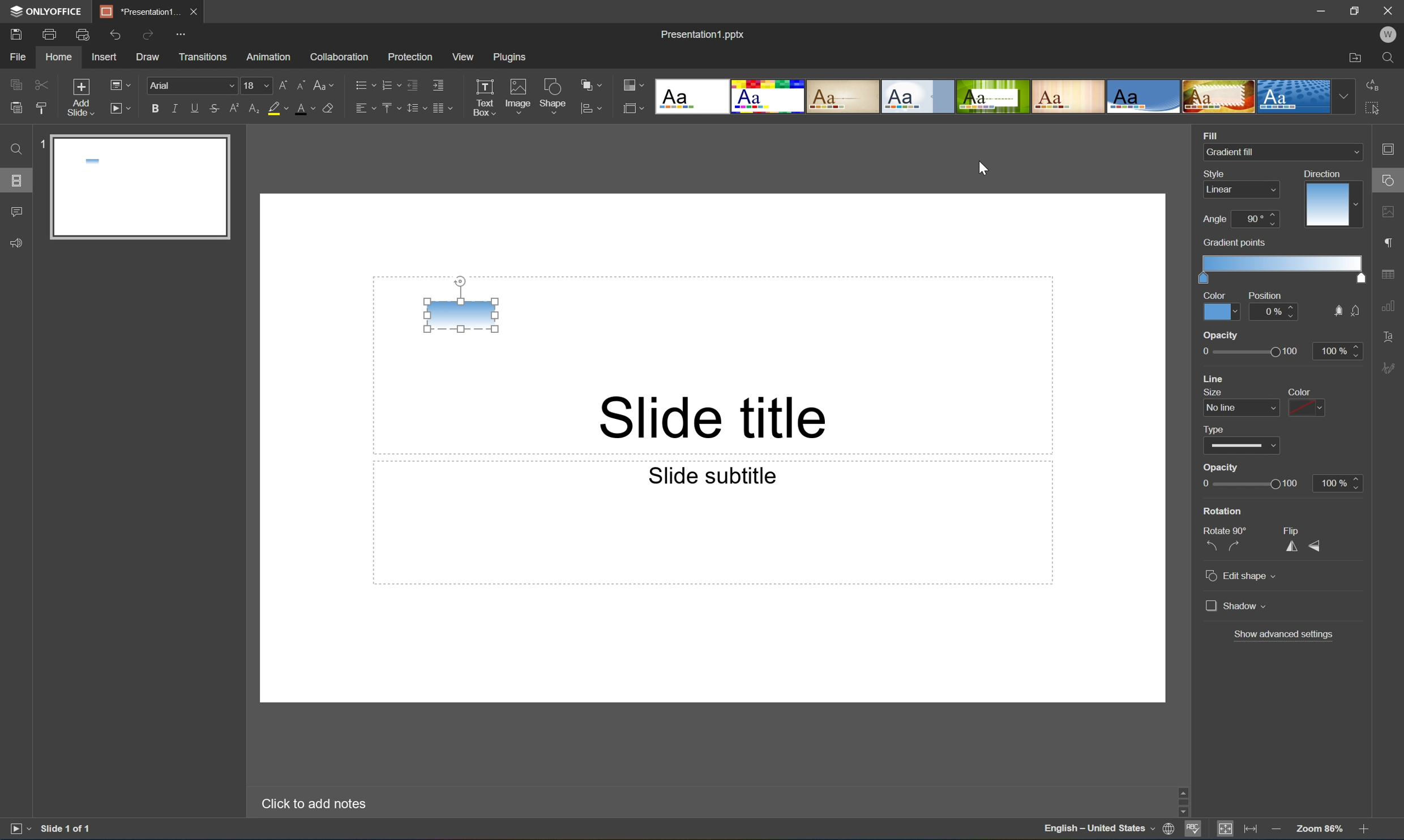 Image resolution: width=1404 pixels, height=840 pixels. Describe the element at coordinates (83, 35) in the screenshot. I see `Print preview` at that location.